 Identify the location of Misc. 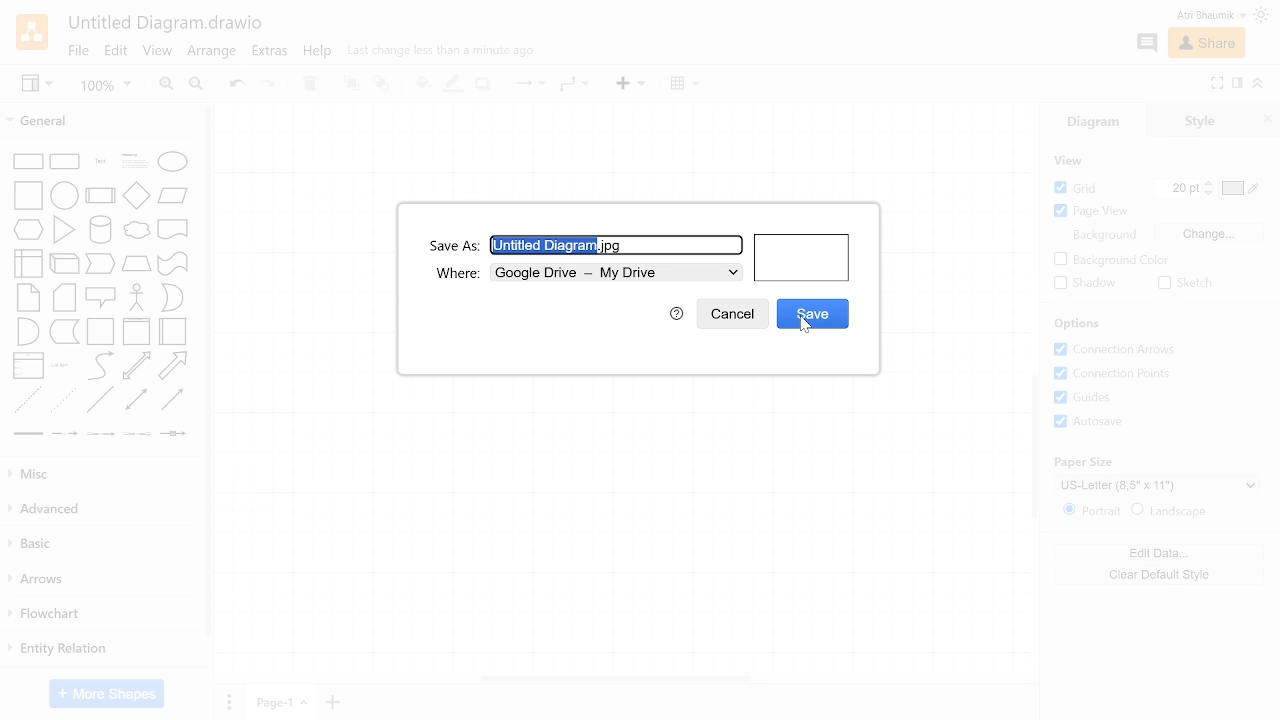
(102, 474).